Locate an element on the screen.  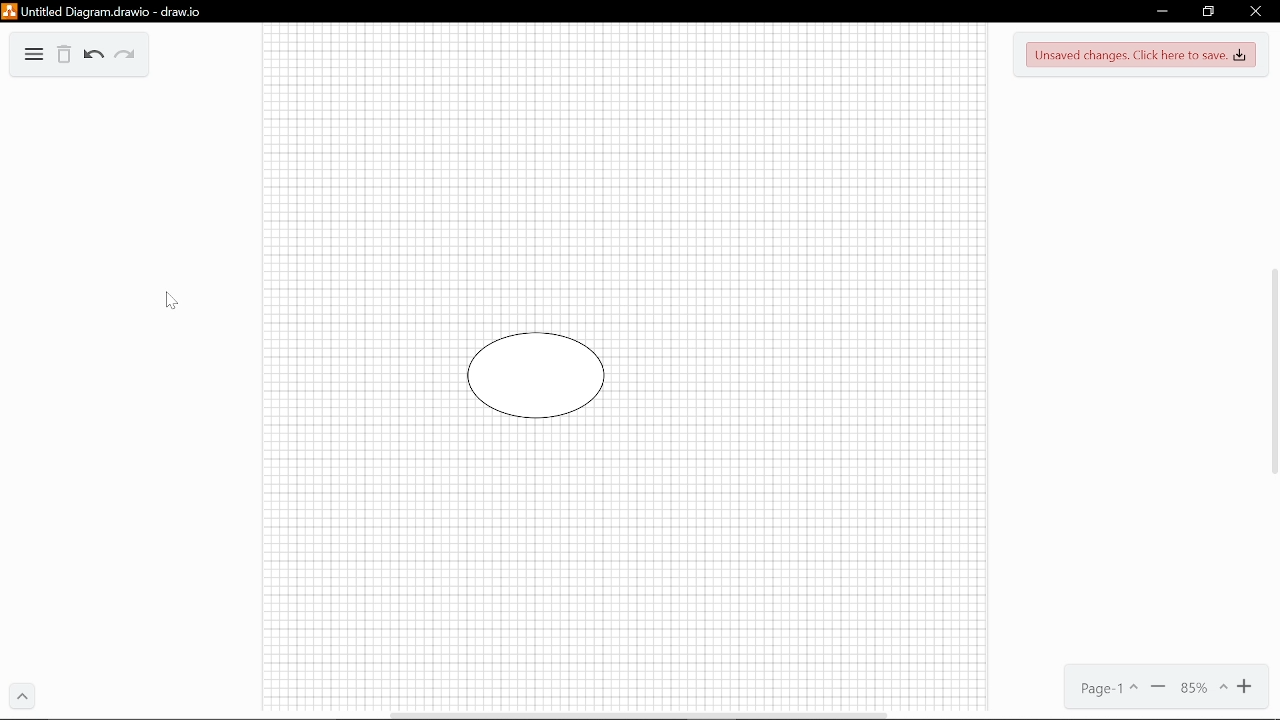
Expand menu is located at coordinates (23, 698).